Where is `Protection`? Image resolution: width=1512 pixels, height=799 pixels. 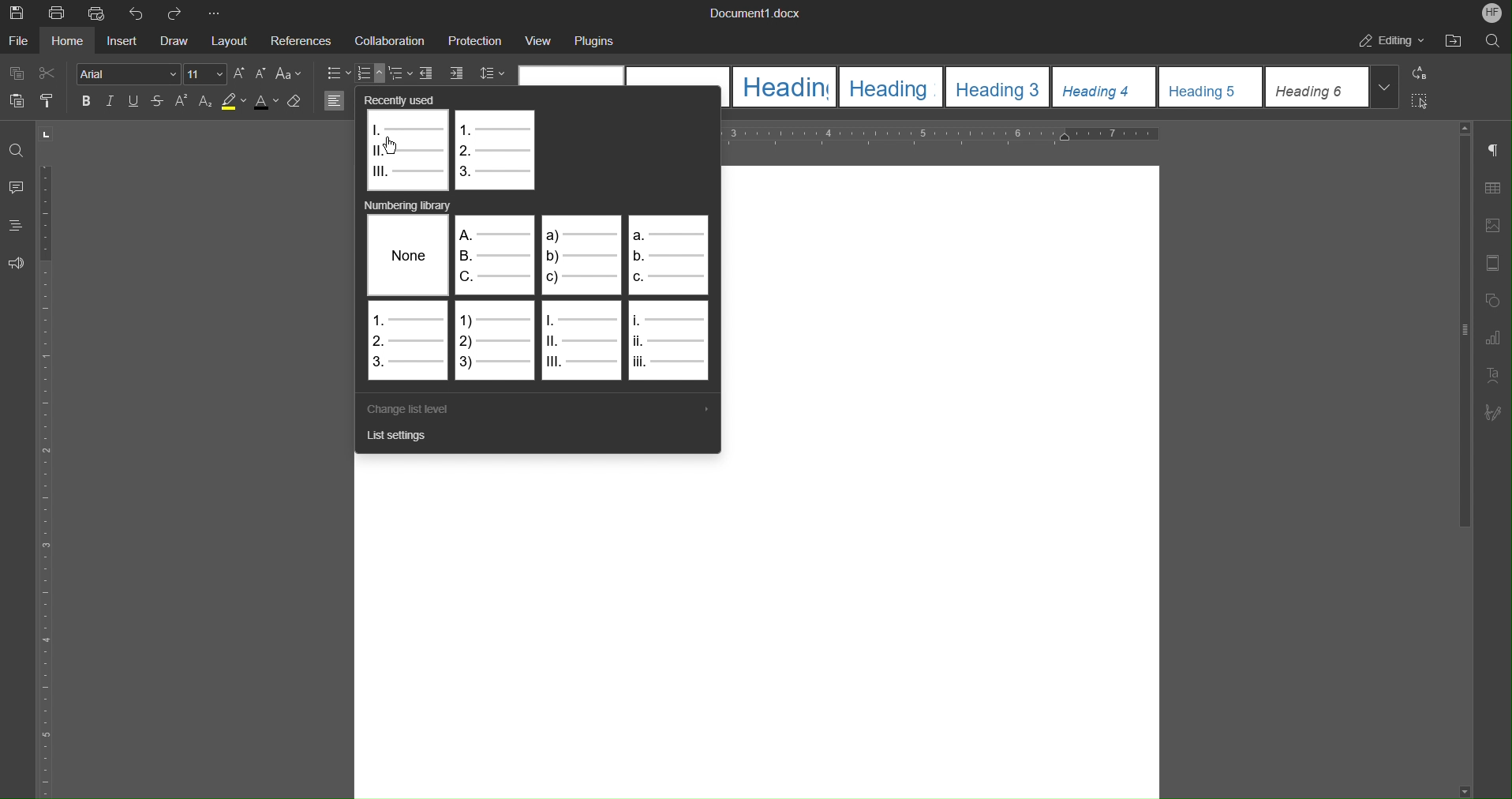 Protection is located at coordinates (473, 41).